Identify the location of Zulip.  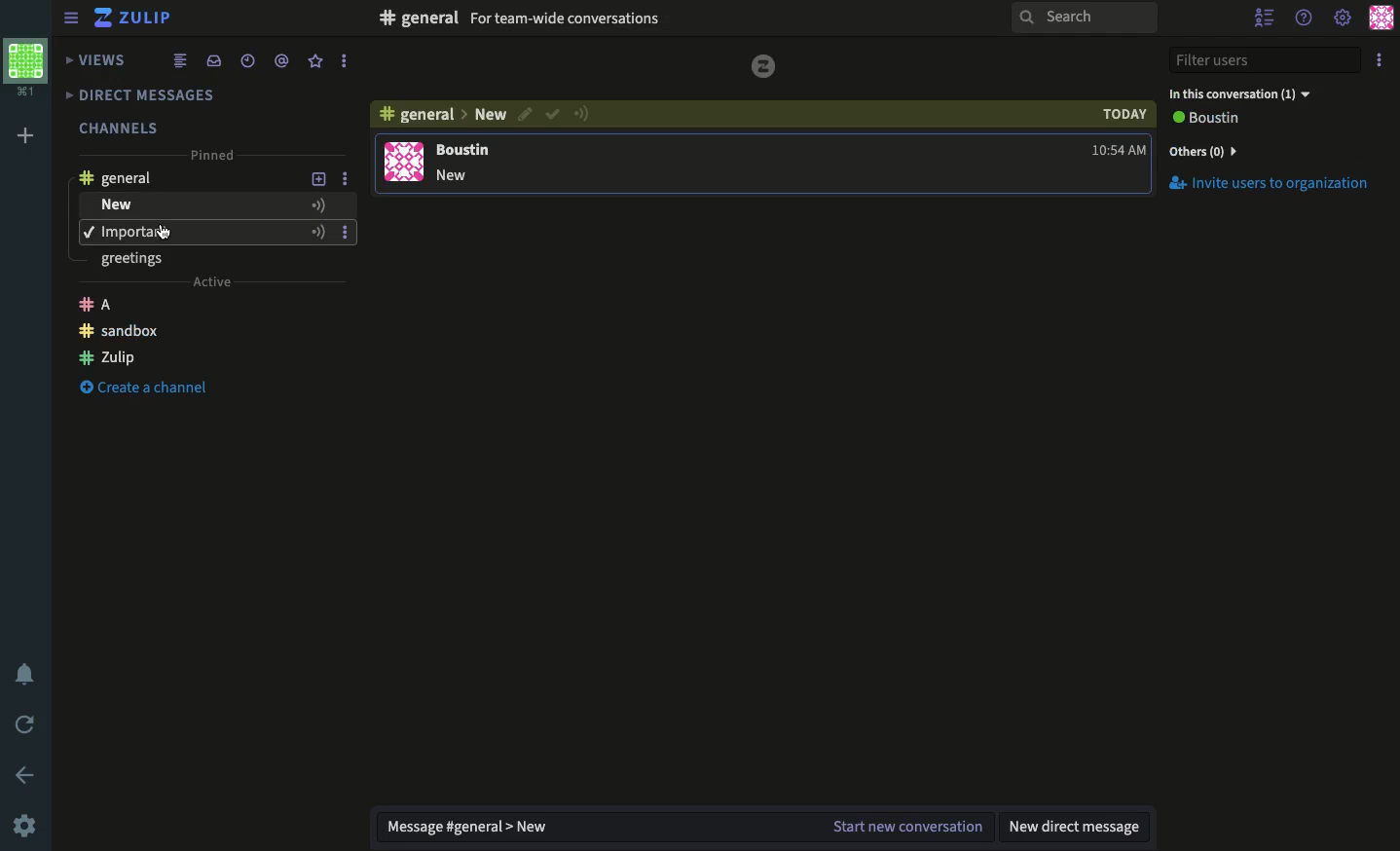
(109, 303).